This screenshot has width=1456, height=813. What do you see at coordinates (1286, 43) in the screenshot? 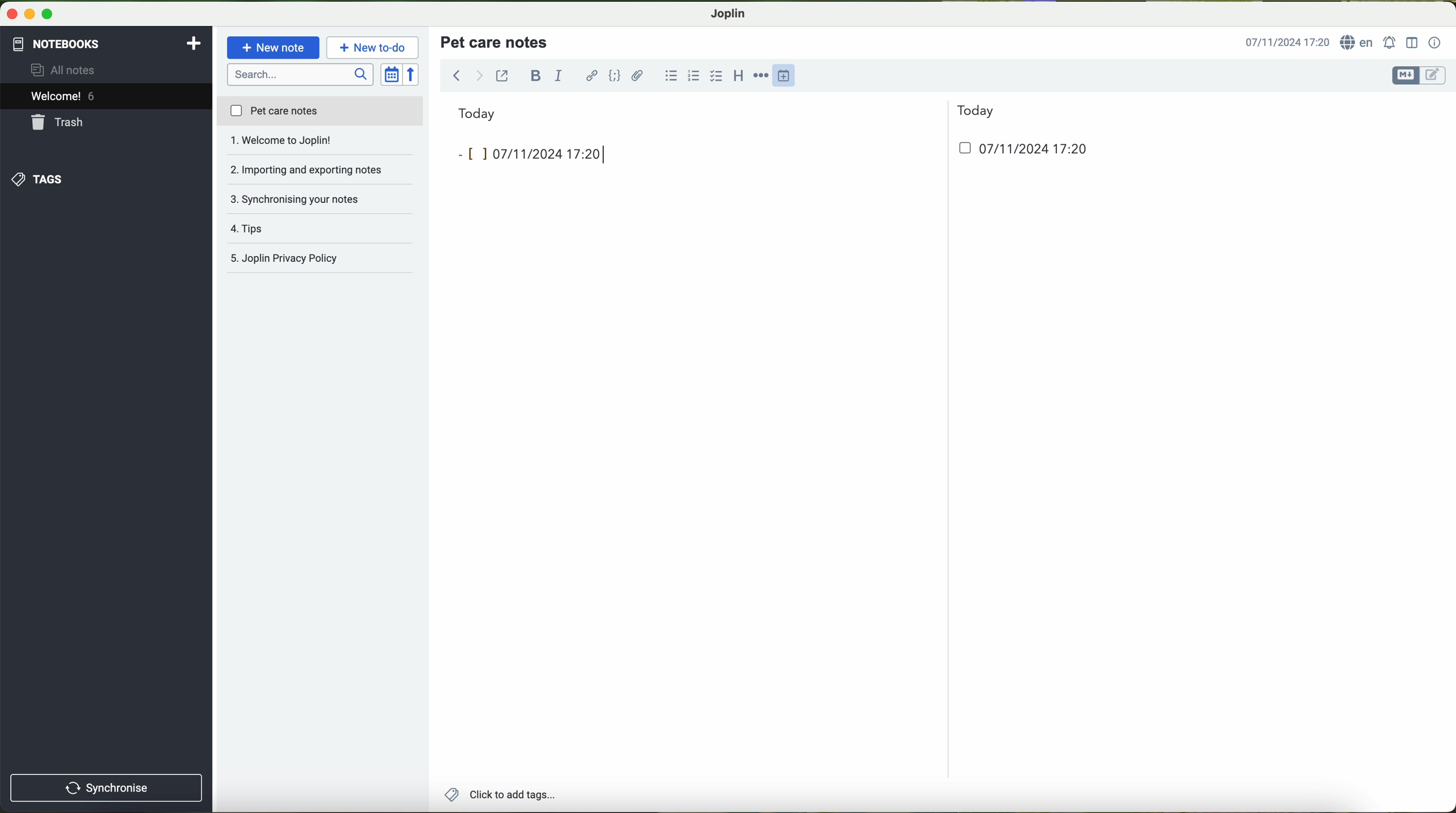
I see `hour and date` at bounding box center [1286, 43].